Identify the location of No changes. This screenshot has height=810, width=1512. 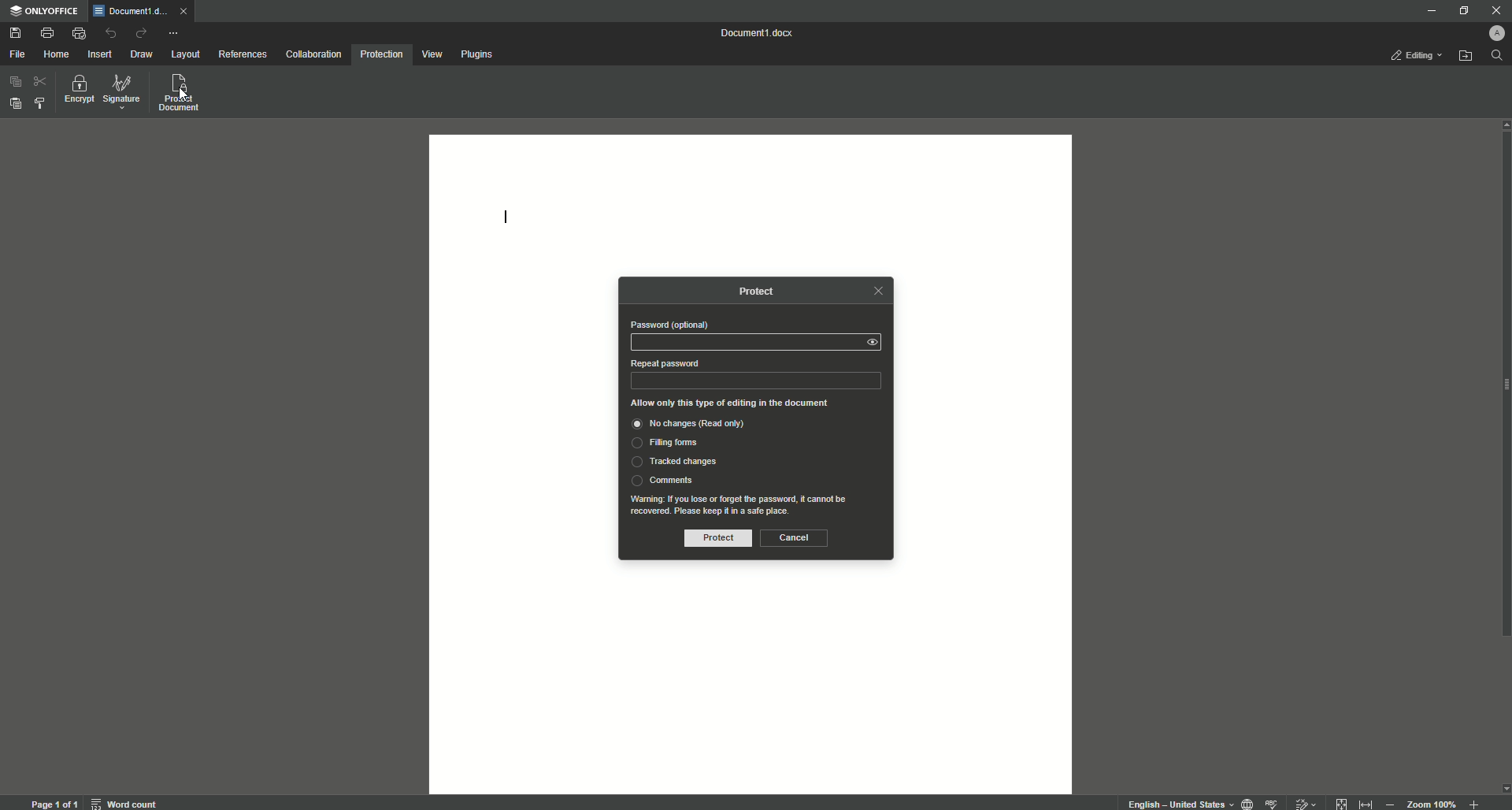
(704, 425).